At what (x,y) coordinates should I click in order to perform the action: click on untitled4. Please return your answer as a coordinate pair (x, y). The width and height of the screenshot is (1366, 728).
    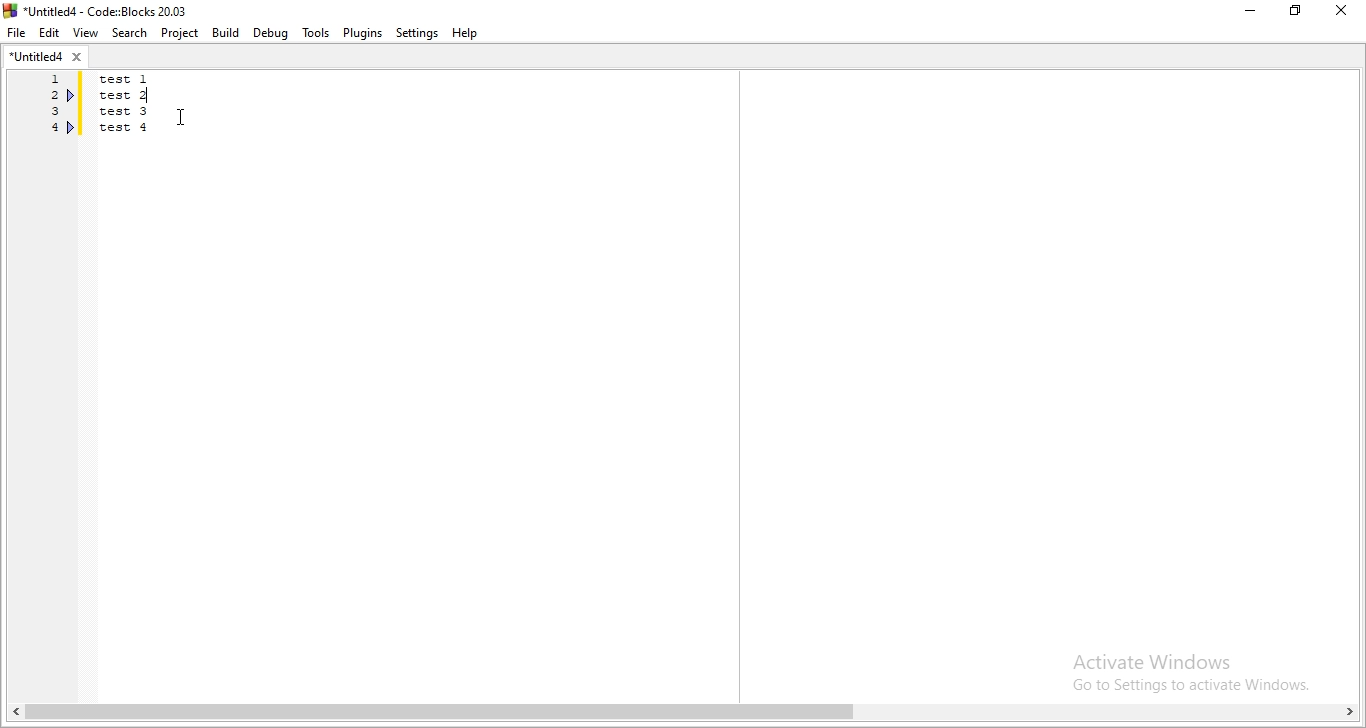
    Looking at the image, I should click on (48, 59).